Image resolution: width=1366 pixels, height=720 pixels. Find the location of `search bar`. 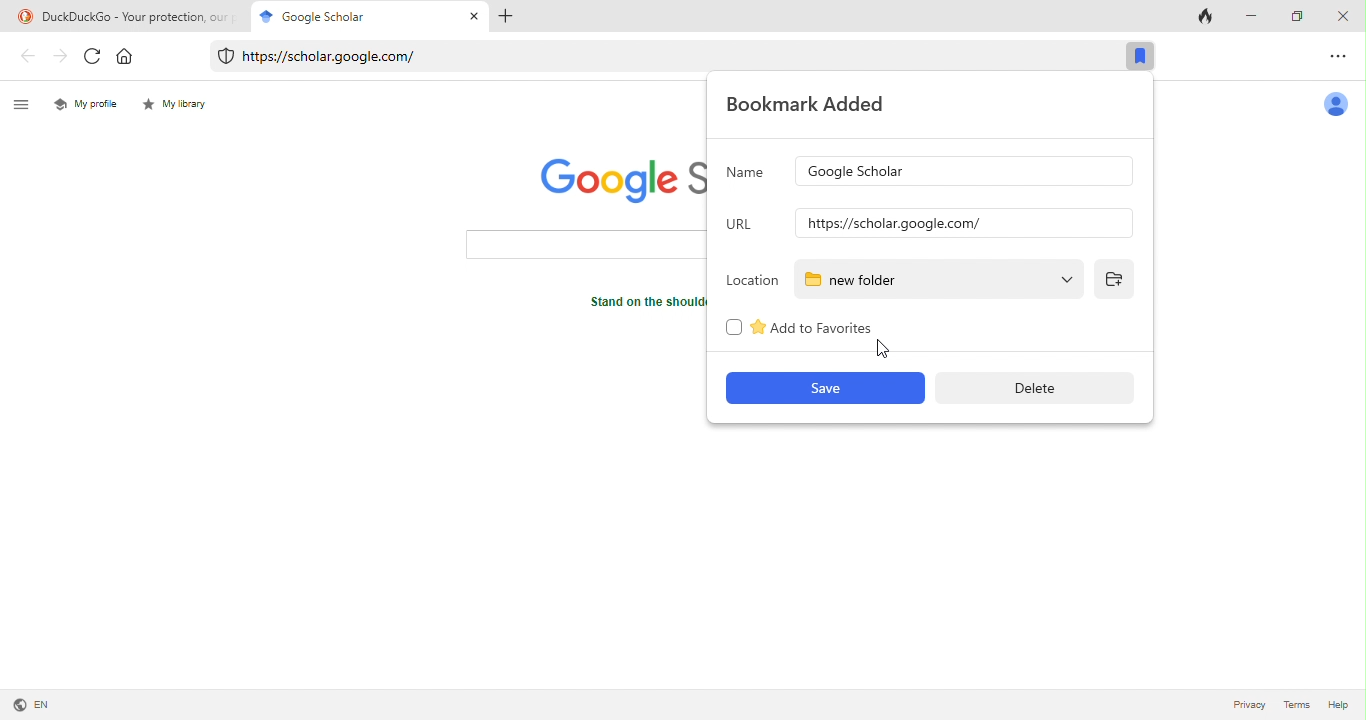

search bar is located at coordinates (586, 246).